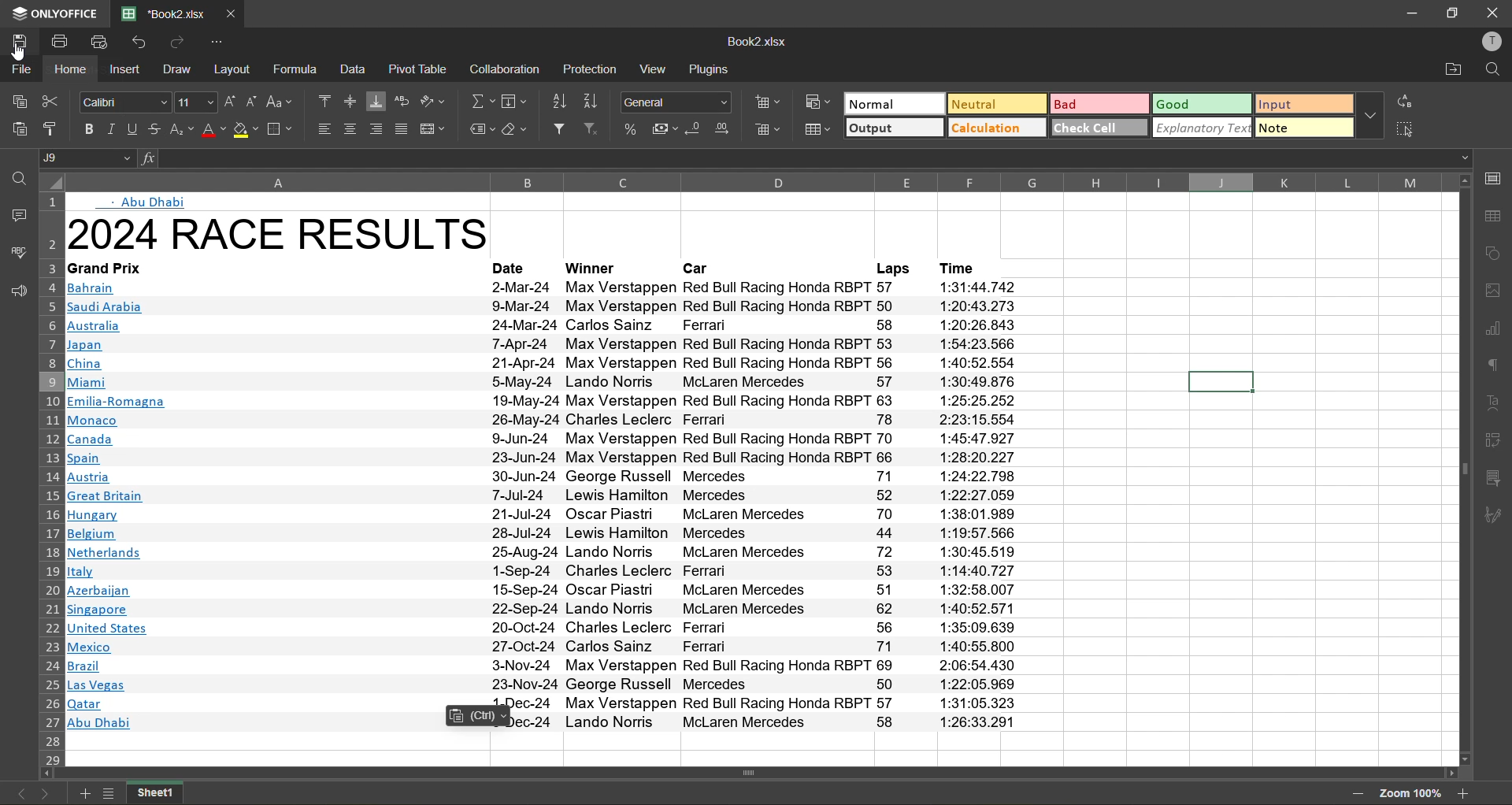  I want to click on shapes, so click(1494, 257).